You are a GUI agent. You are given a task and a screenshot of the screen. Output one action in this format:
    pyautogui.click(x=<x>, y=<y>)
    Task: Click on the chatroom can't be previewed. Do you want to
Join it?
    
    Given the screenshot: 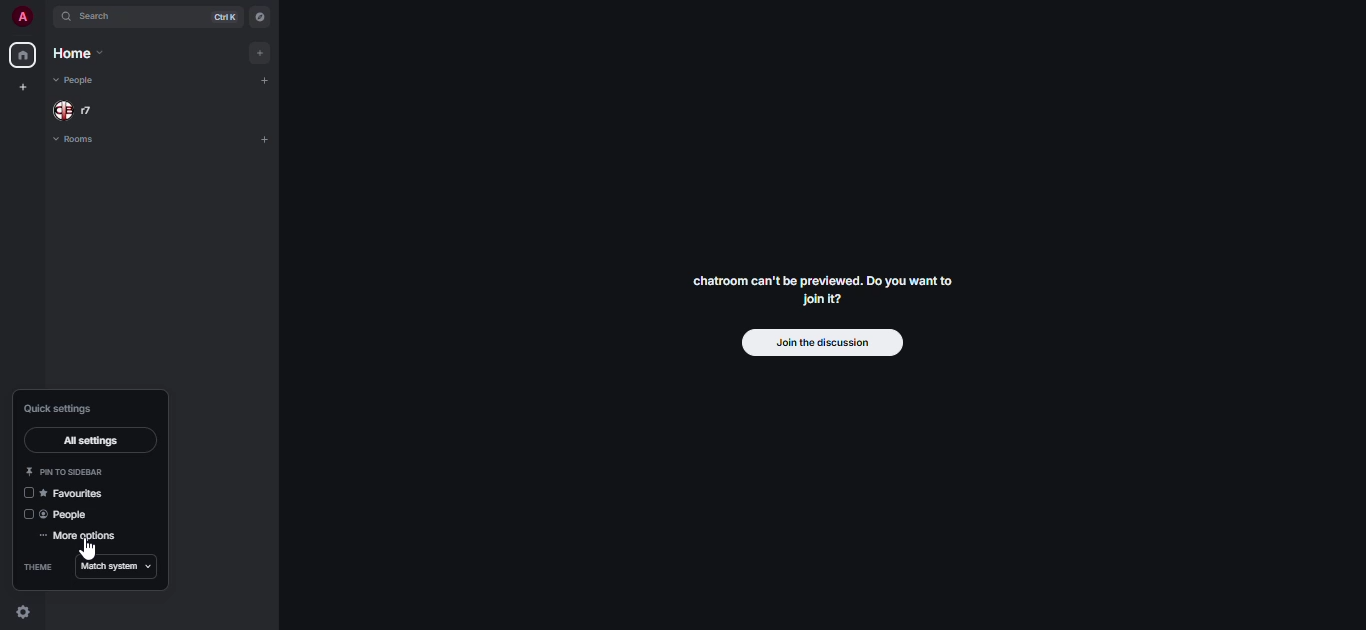 What is the action you would take?
    pyautogui.click(x=822, y=288)
    